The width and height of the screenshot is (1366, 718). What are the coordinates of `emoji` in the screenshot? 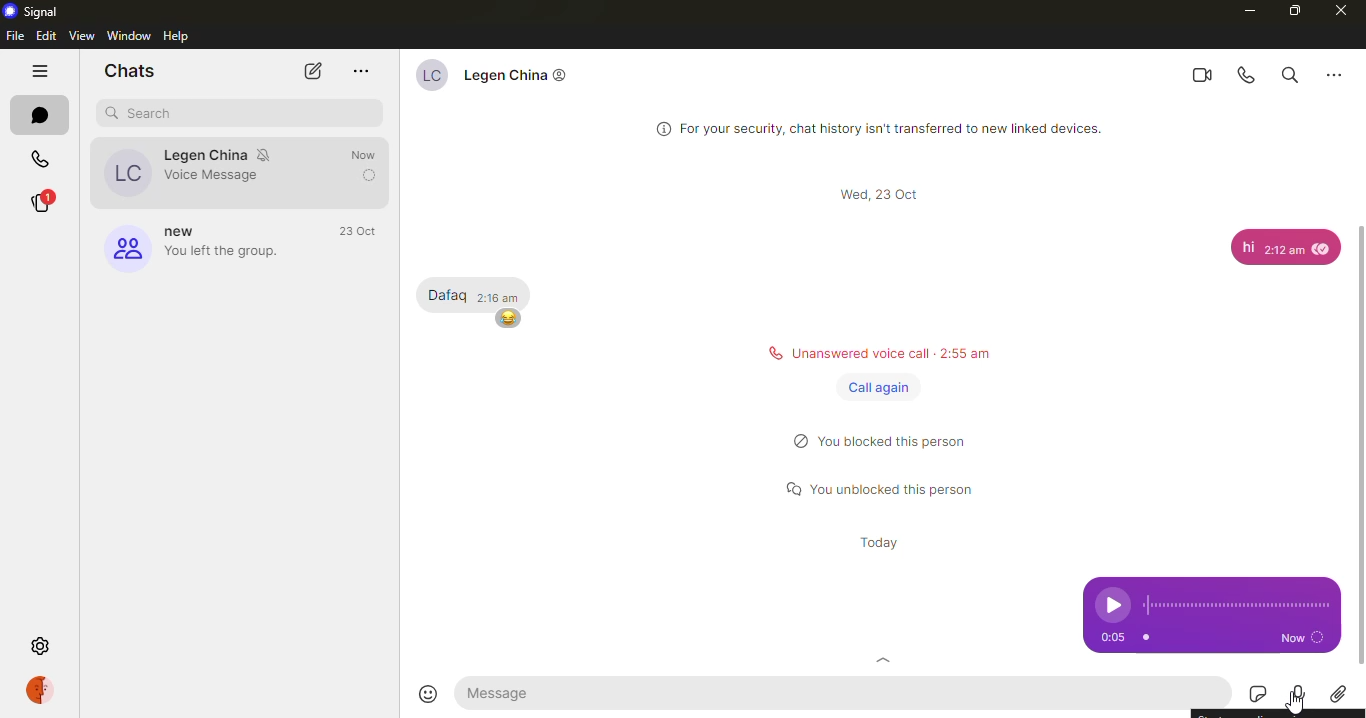 It's located at (514, 321).